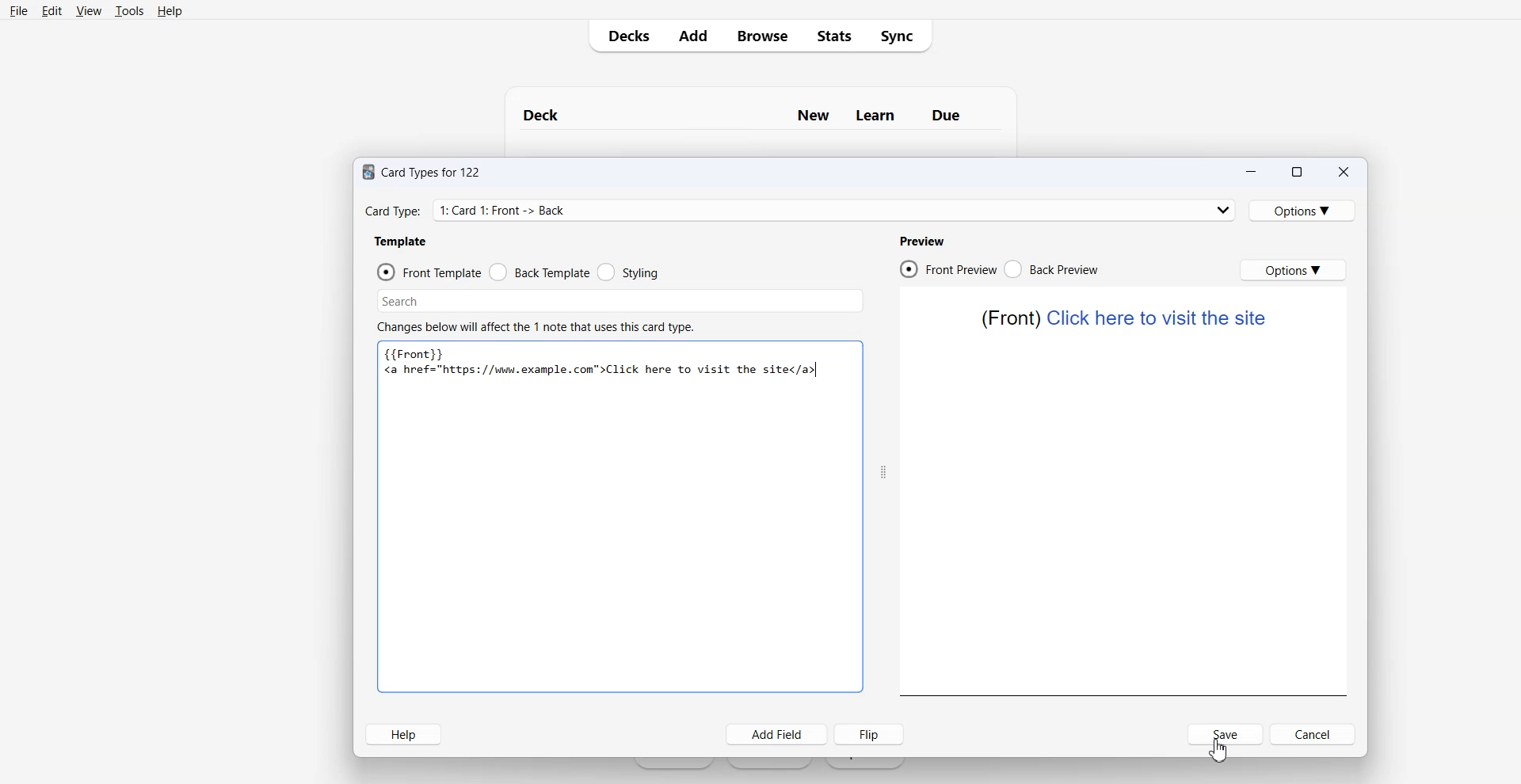 The image size is (1521, 784). What do you see at coordinates (423, 173) in the screenshot?
I see `Text 1` at bounding box center [423, 173].